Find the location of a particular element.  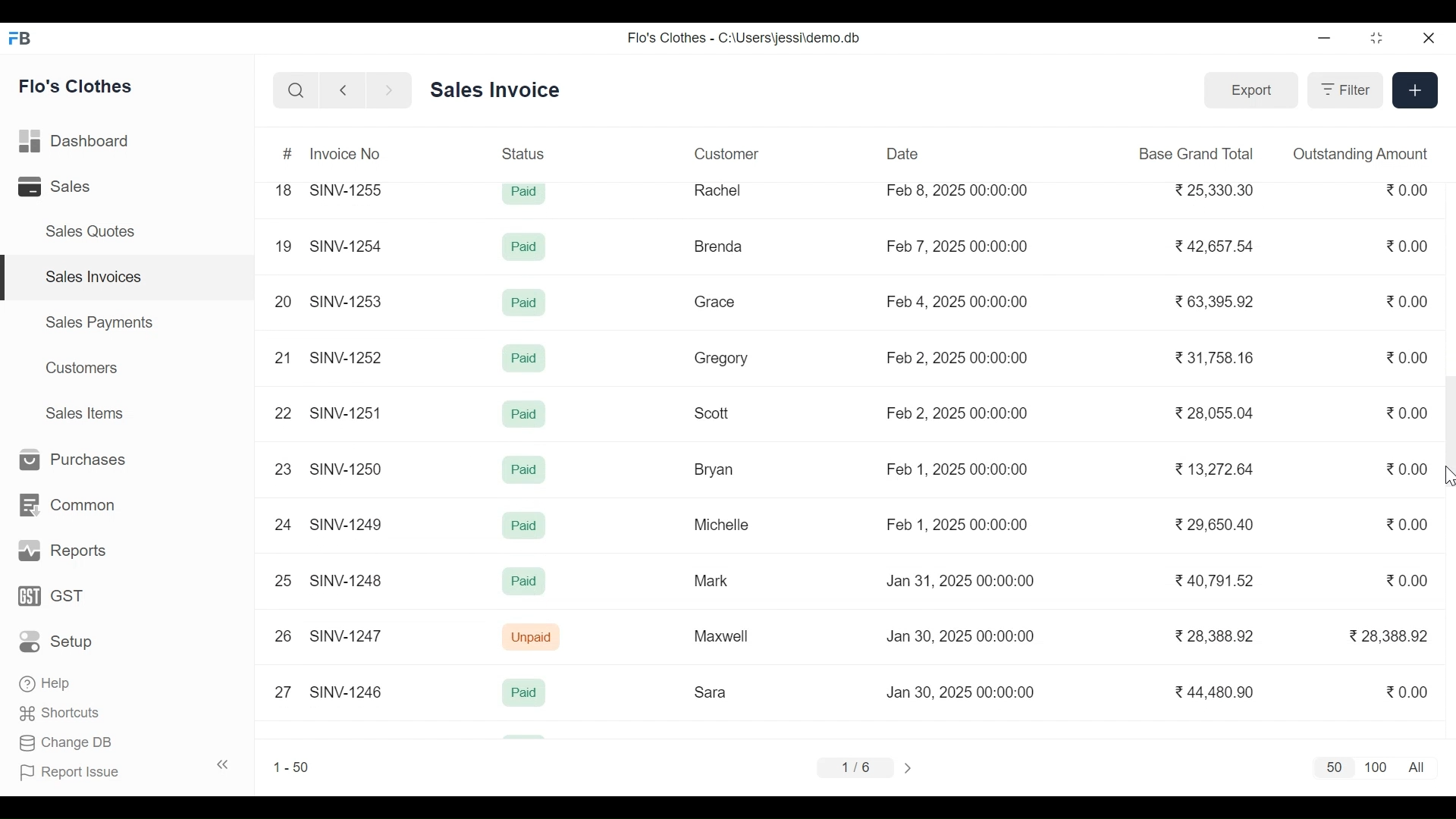

Shortcuts is located at coordinates (61, 716).